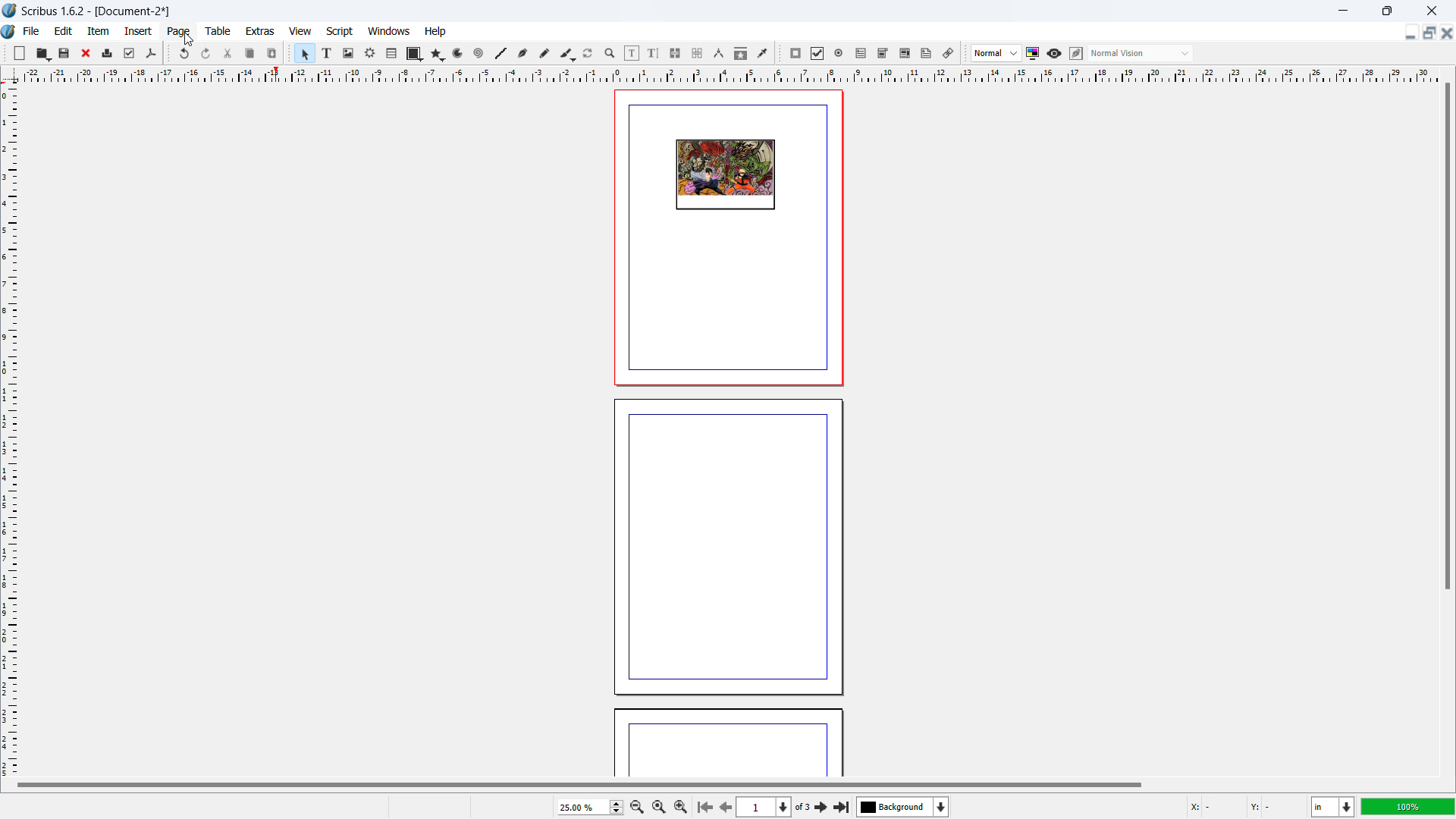 Image resolution: width=1456 pixels, height=819 pixels. I want to click on select visual appearance of the display, so click(1141, 53).